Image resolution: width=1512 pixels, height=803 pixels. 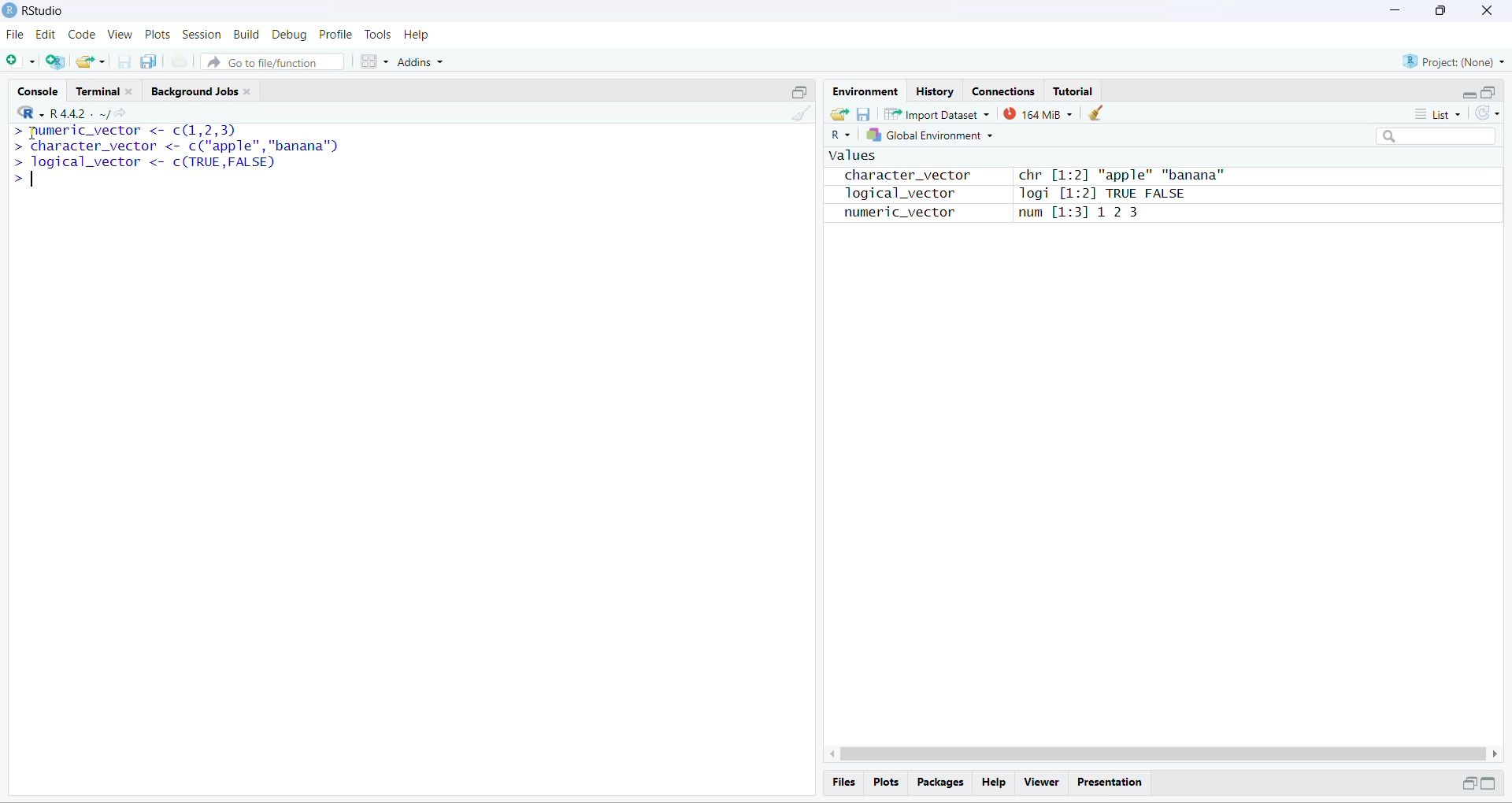 I want to click on save all open document, so click(x=150, y=61).